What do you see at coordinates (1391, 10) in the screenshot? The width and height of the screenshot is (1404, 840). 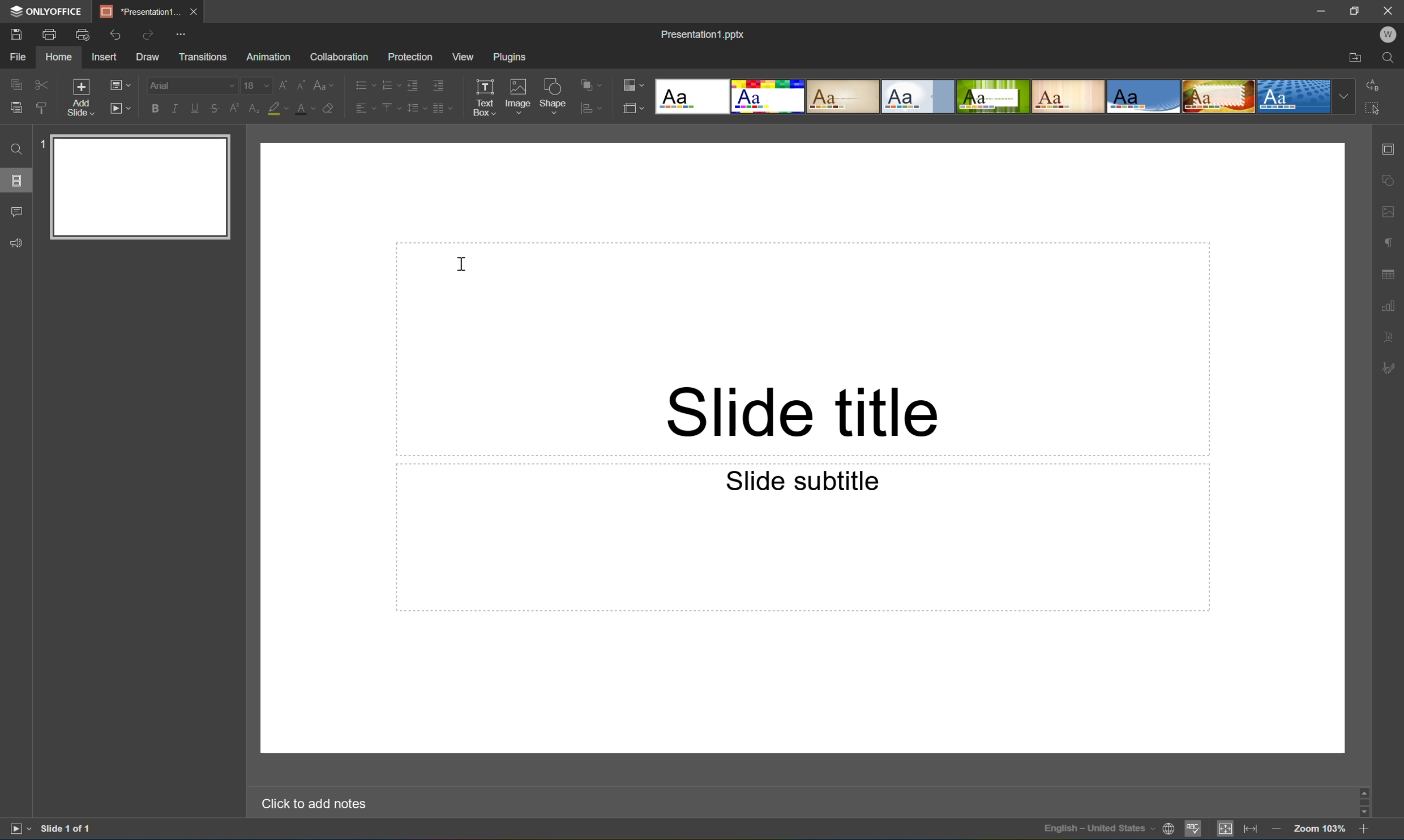 I see `Close` at bounding box center [1391, 10].